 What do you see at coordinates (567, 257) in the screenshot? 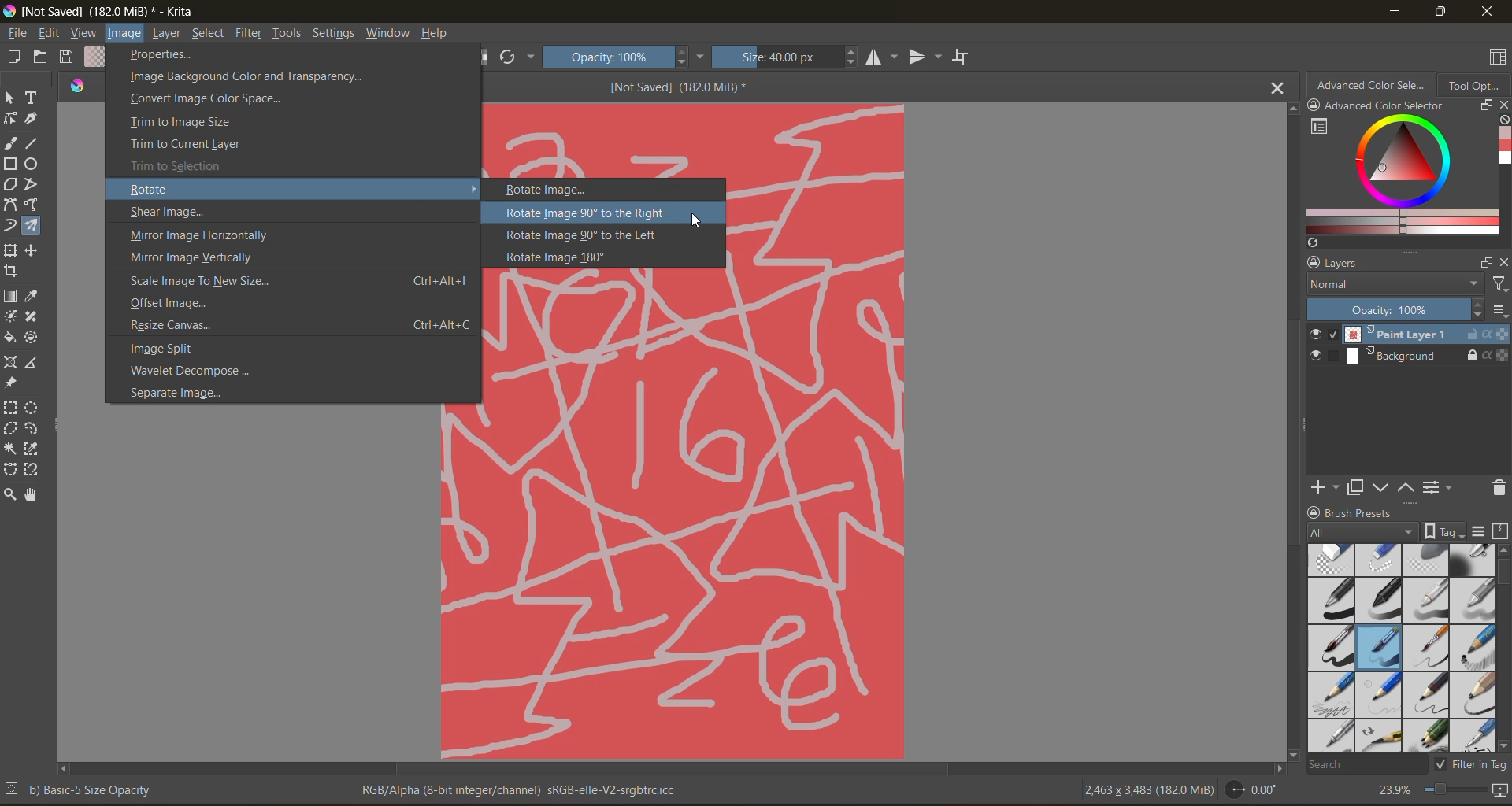
I see `rotate image 180` at bounding box center [567, 257].